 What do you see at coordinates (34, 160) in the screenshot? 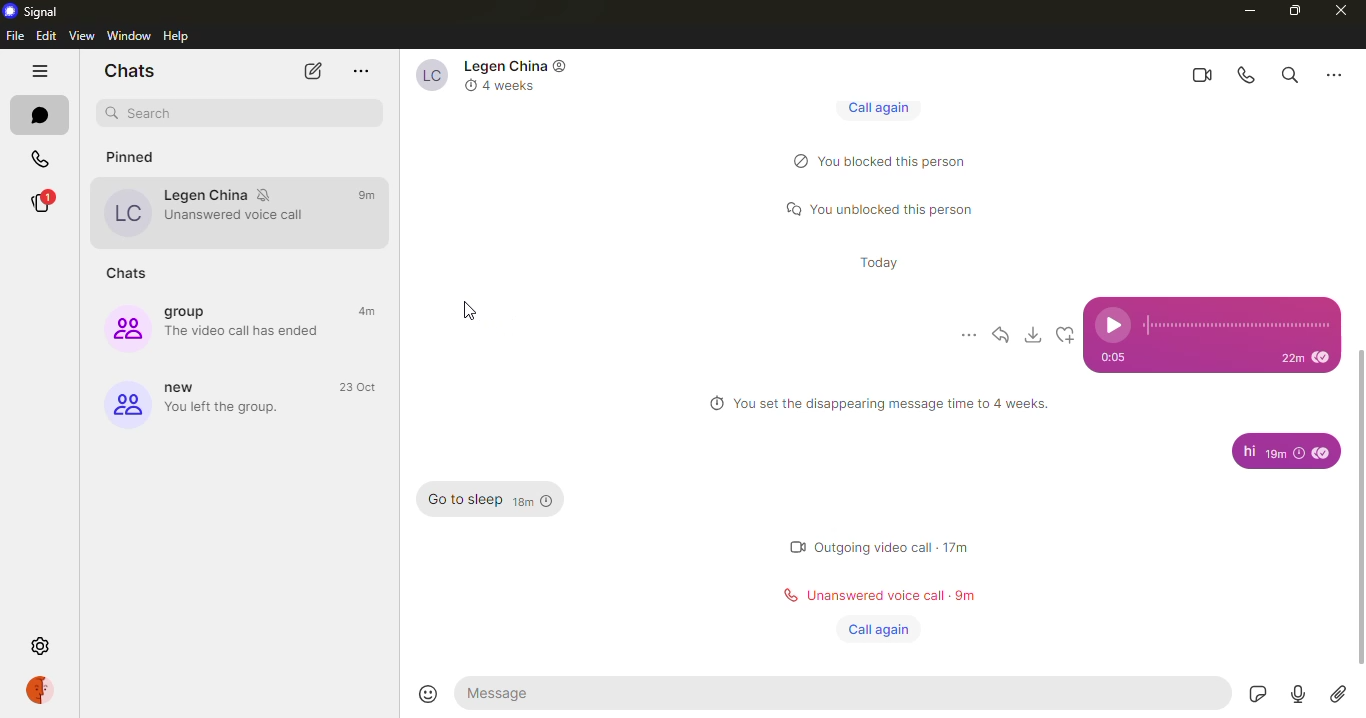
I see `calls` at bounding box center [34, 160].